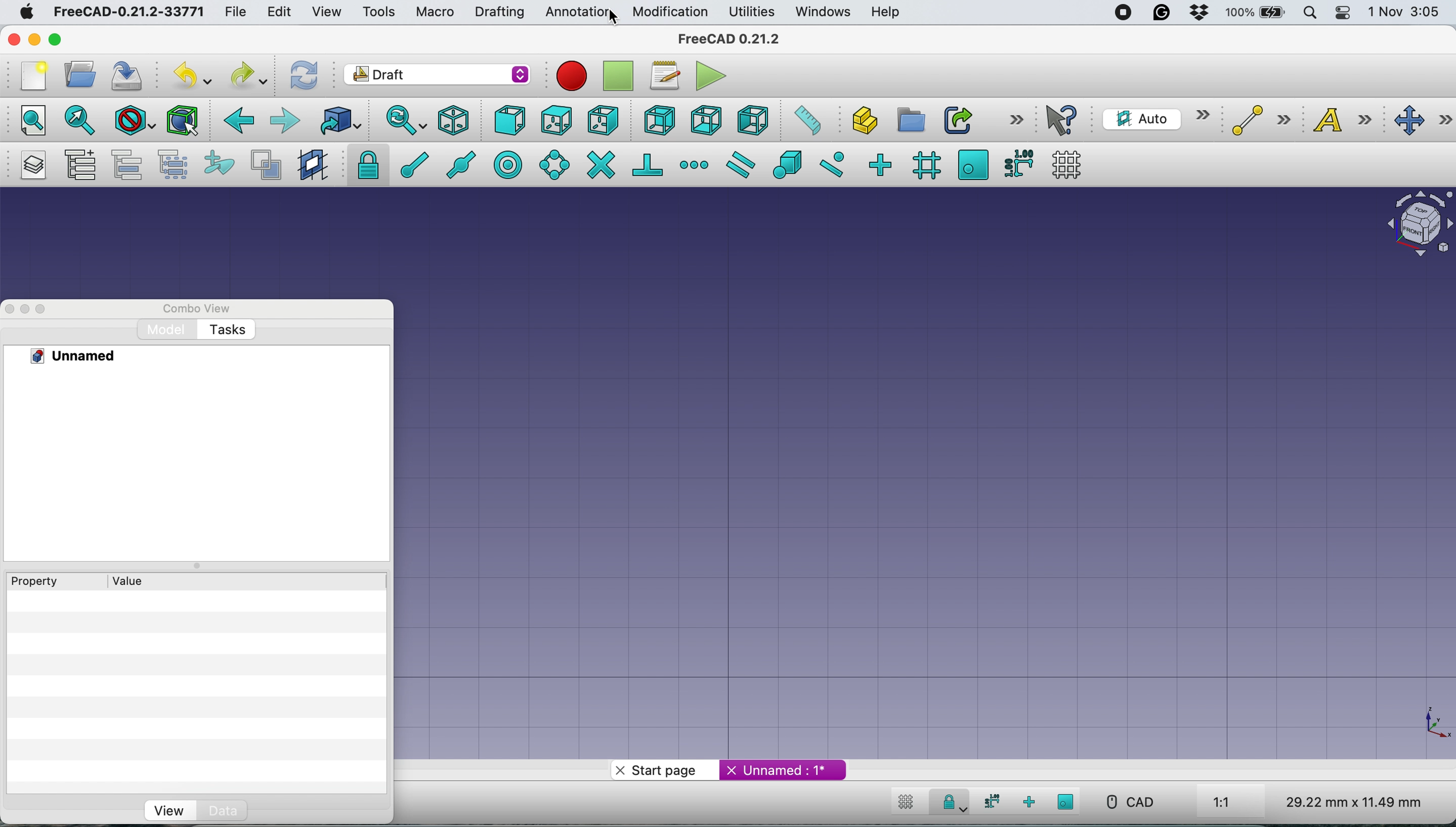  I want to click on current working plane, so click(1153, 119).